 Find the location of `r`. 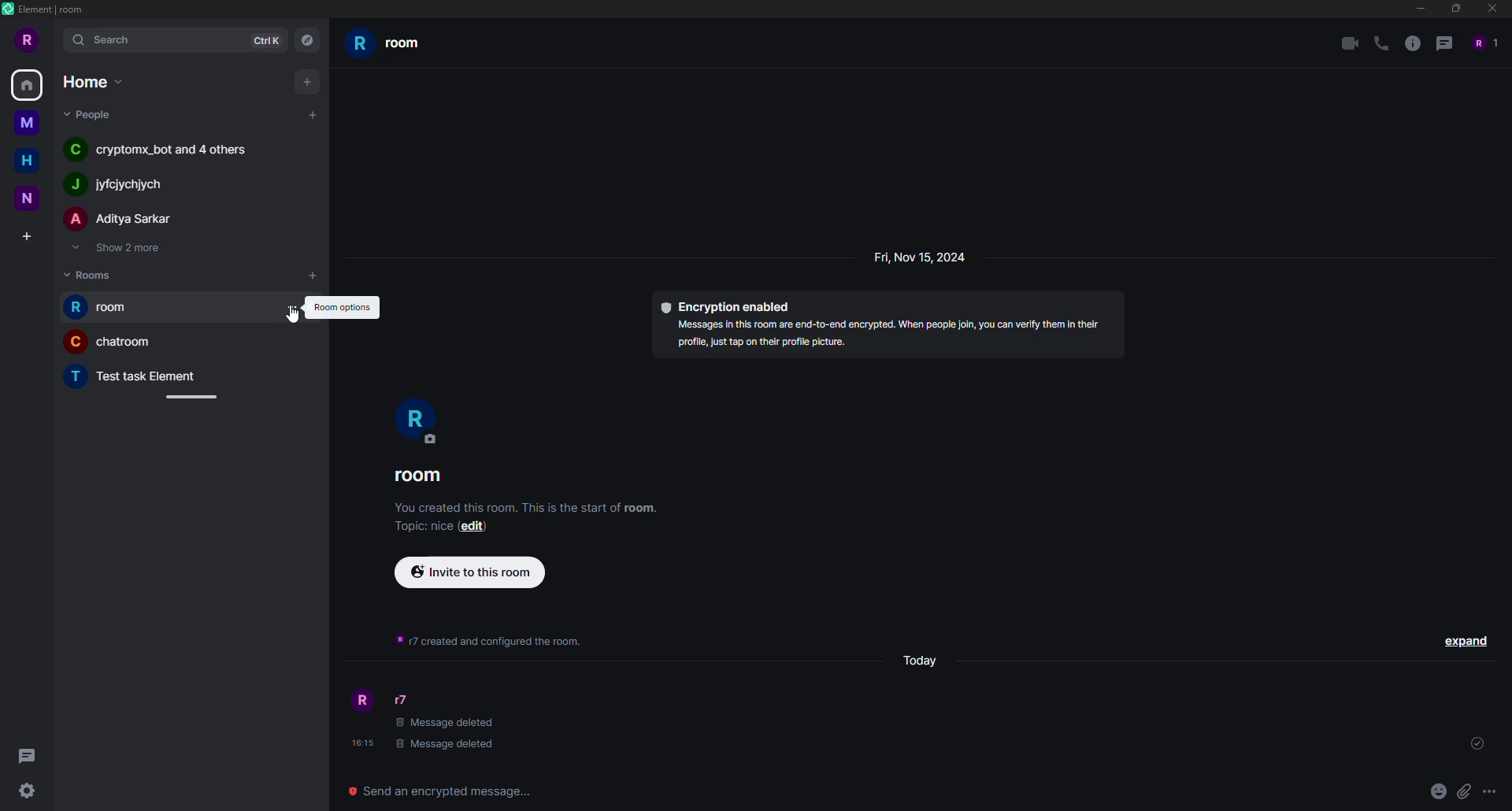

r is located at coordinates (414, 418).